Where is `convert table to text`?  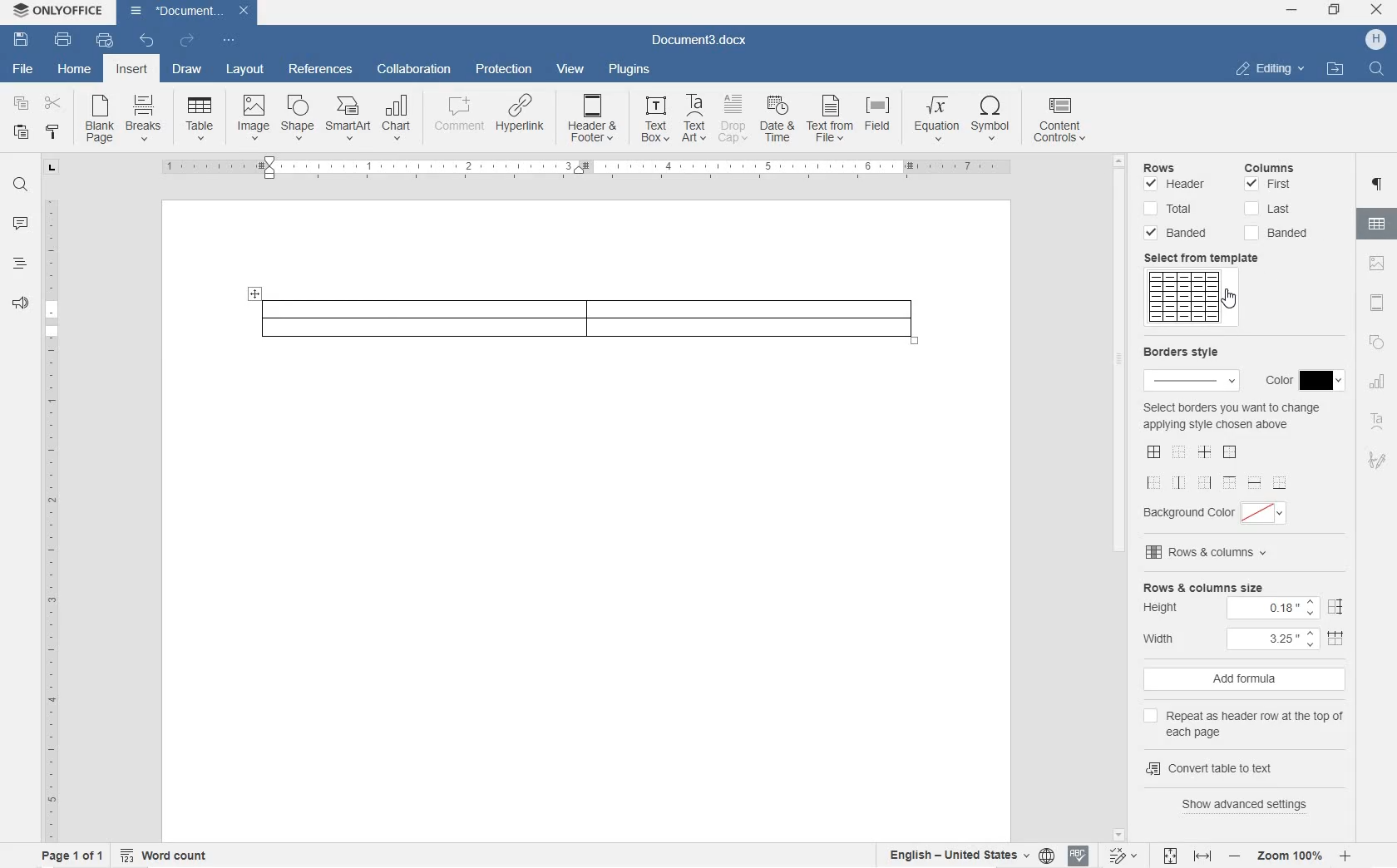 convert table to text is located at coordinates (1242, 766).